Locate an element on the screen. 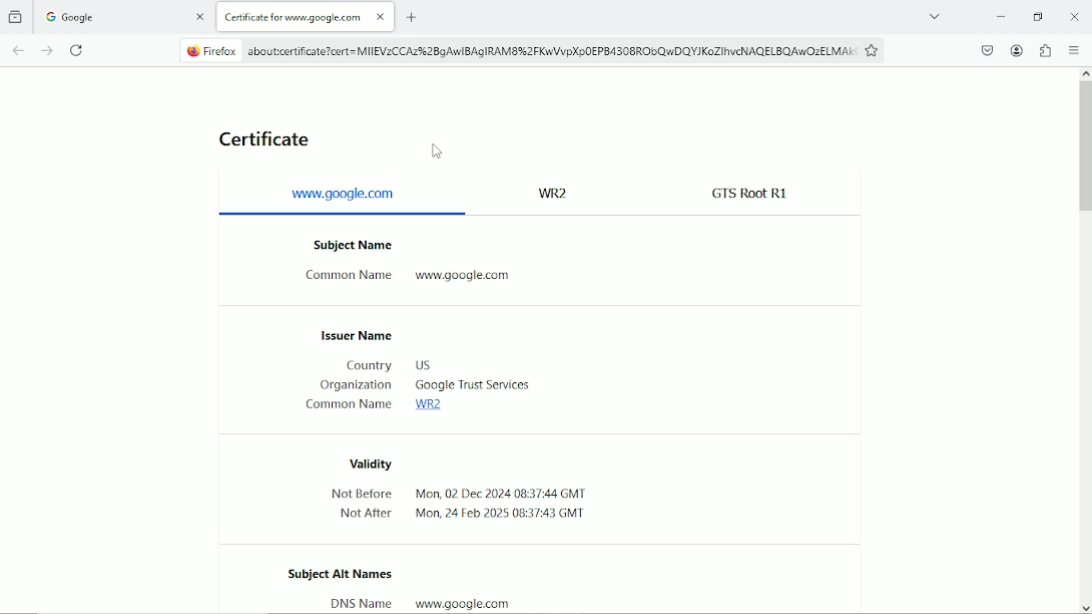  Mon, 02 Dec 2024 08:37:44 GMT is located at coordinates (503, 493).